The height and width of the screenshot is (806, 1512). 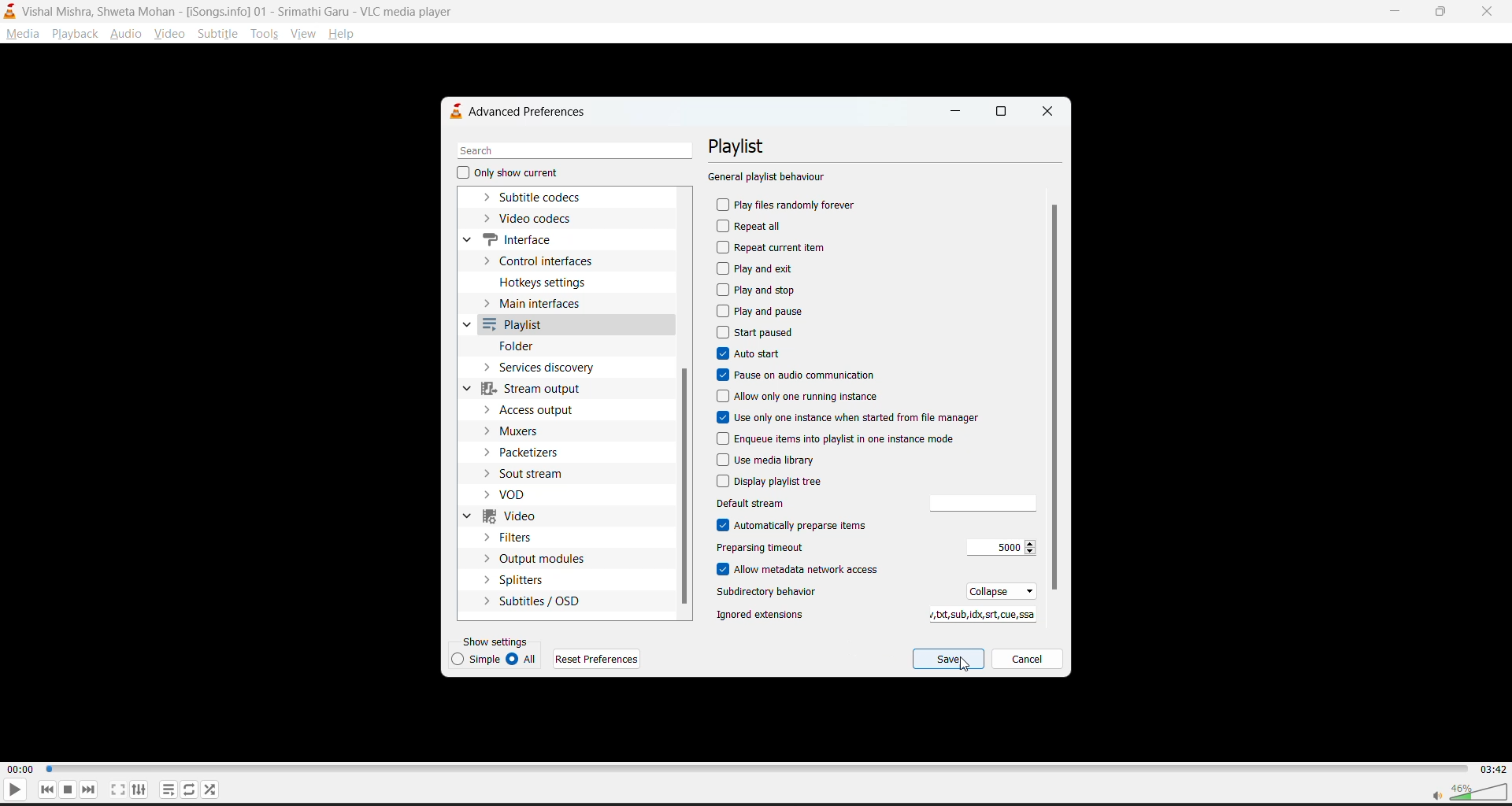 What do you see at coordinates (738, 149) in the screenshot?
I see `playlist` at bounding box center [738, 149].